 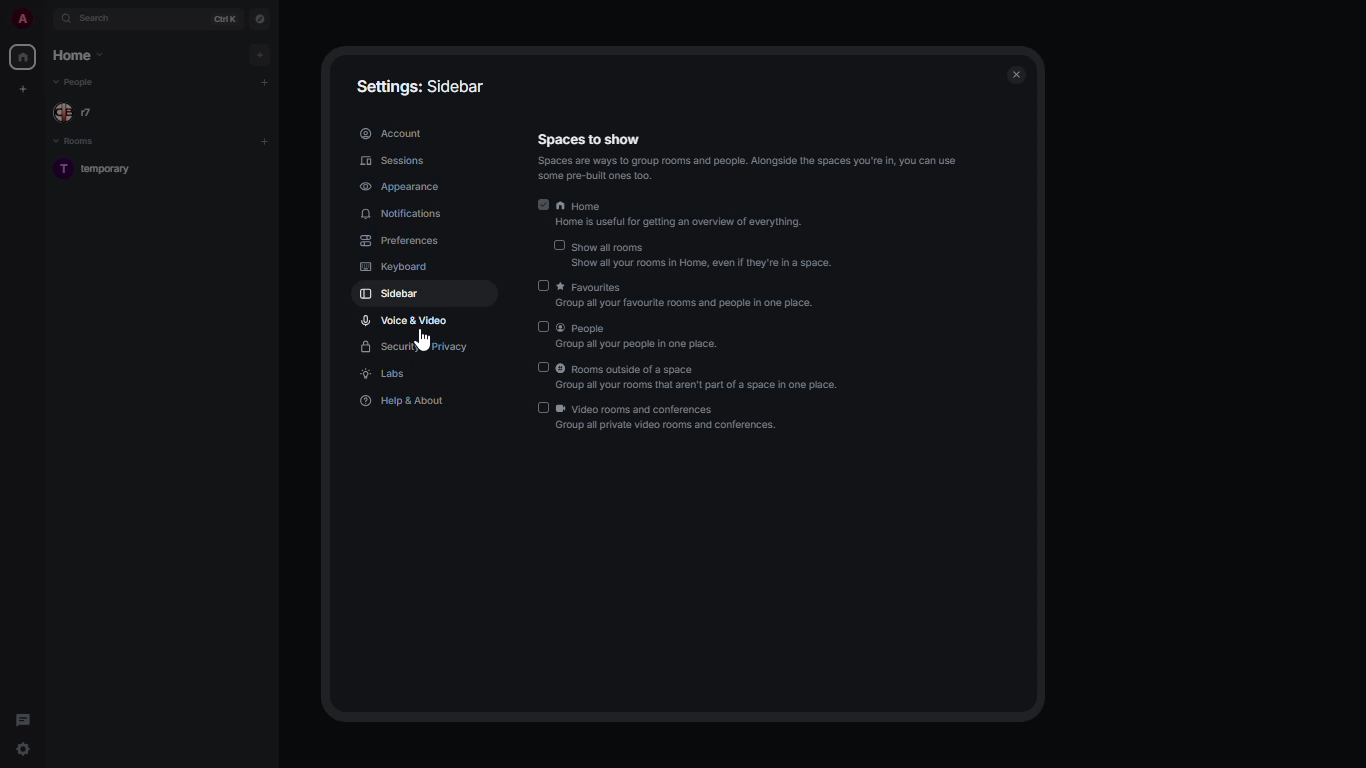 What do you see at coordinates (404, 214) in the screenshot?
I see `notifications` at bounding box center [404, 214].